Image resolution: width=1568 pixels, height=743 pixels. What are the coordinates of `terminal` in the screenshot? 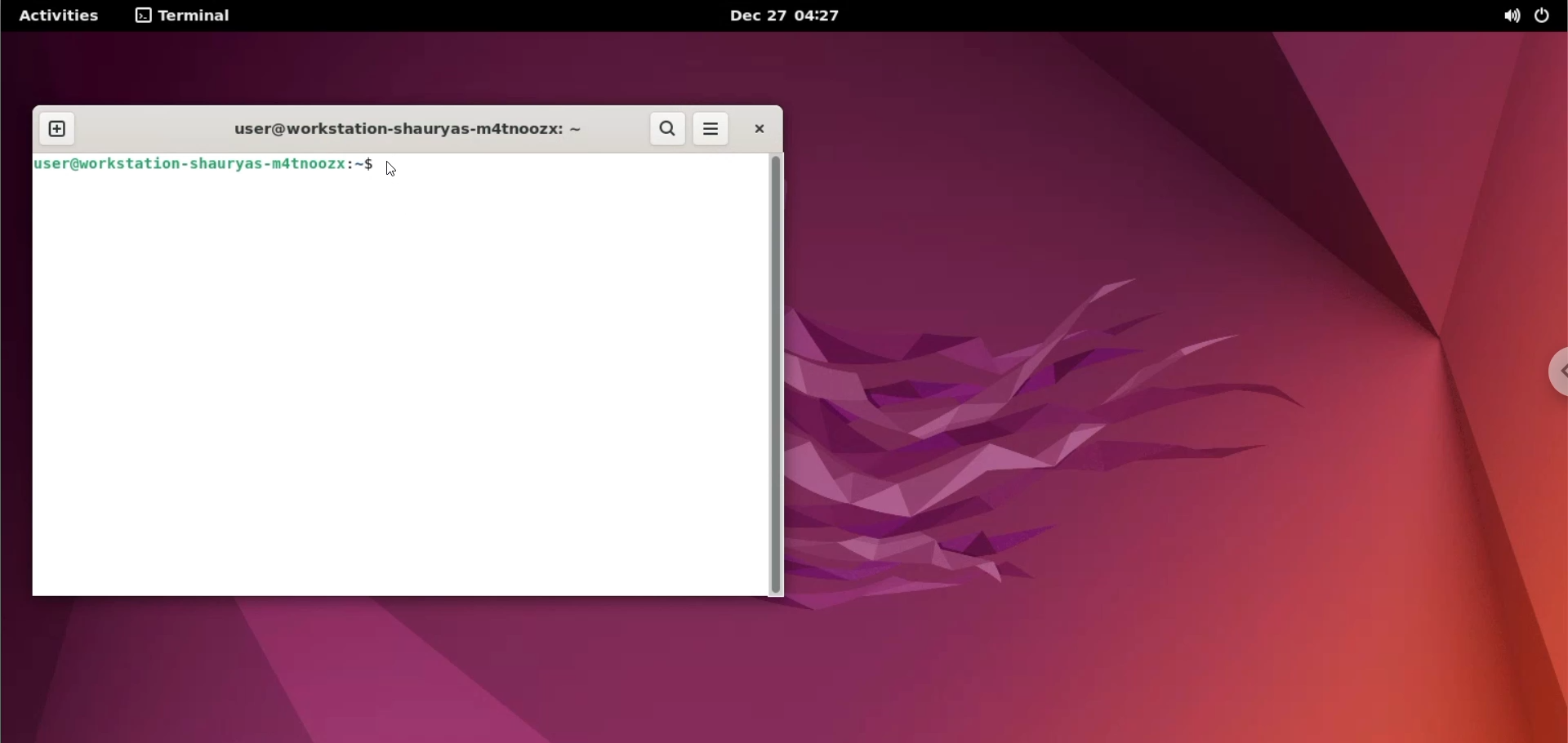 It's located at (184, 16).